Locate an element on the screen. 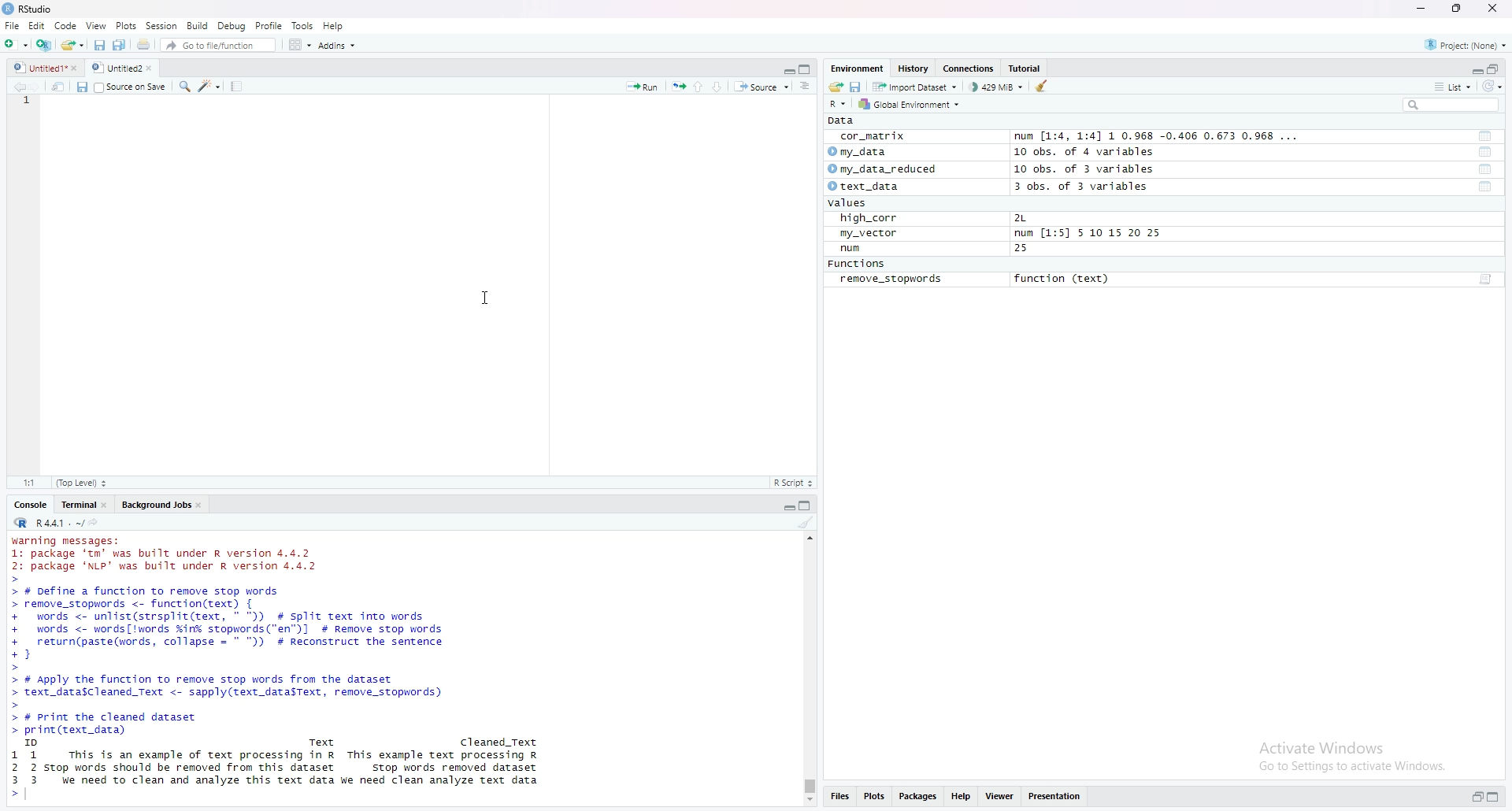 The width and height of the screenshot is (1512, 811). Save is located at coordinates (80, 87).